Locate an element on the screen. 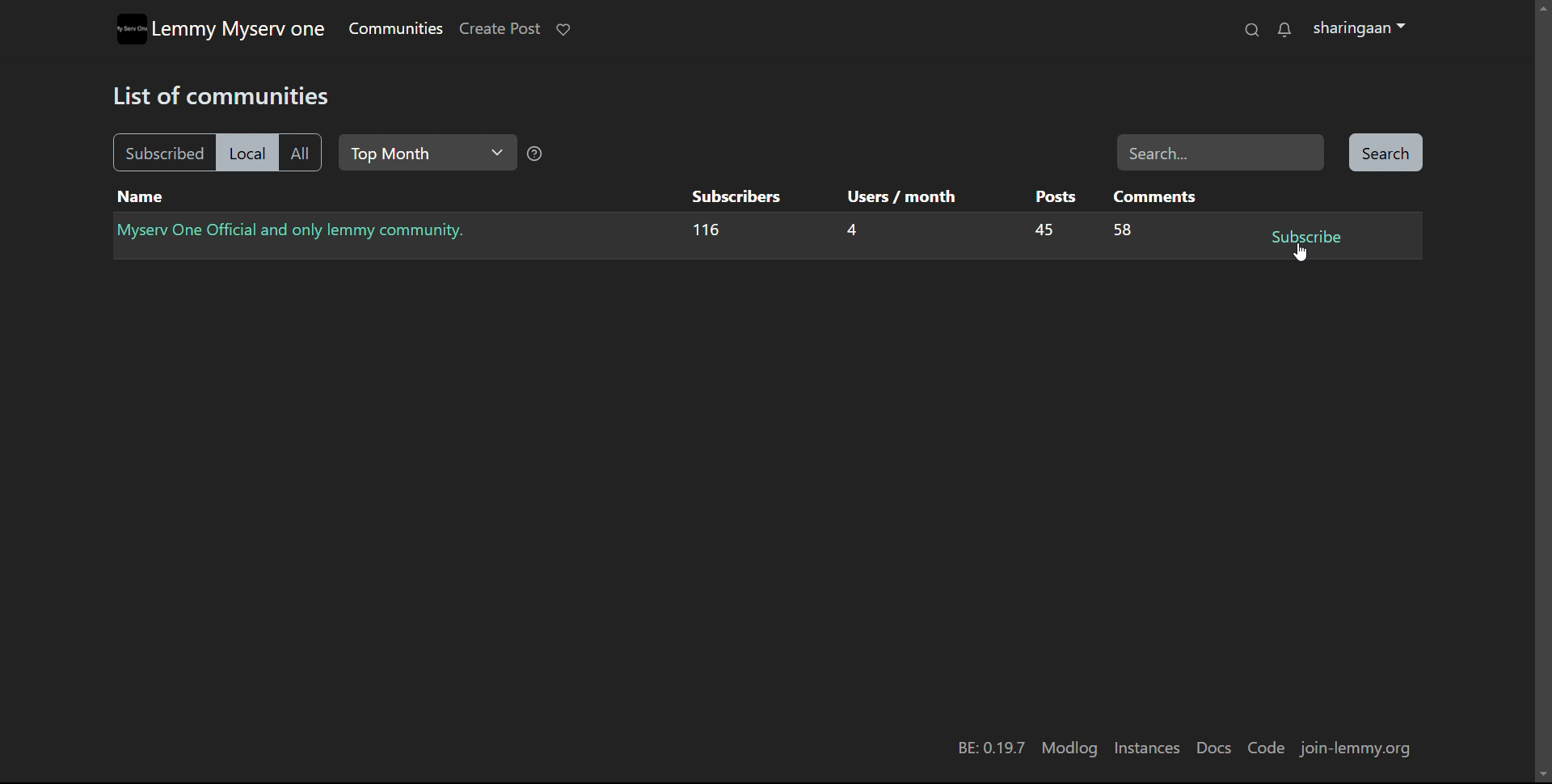  search is located at coordinates (1250, 30).